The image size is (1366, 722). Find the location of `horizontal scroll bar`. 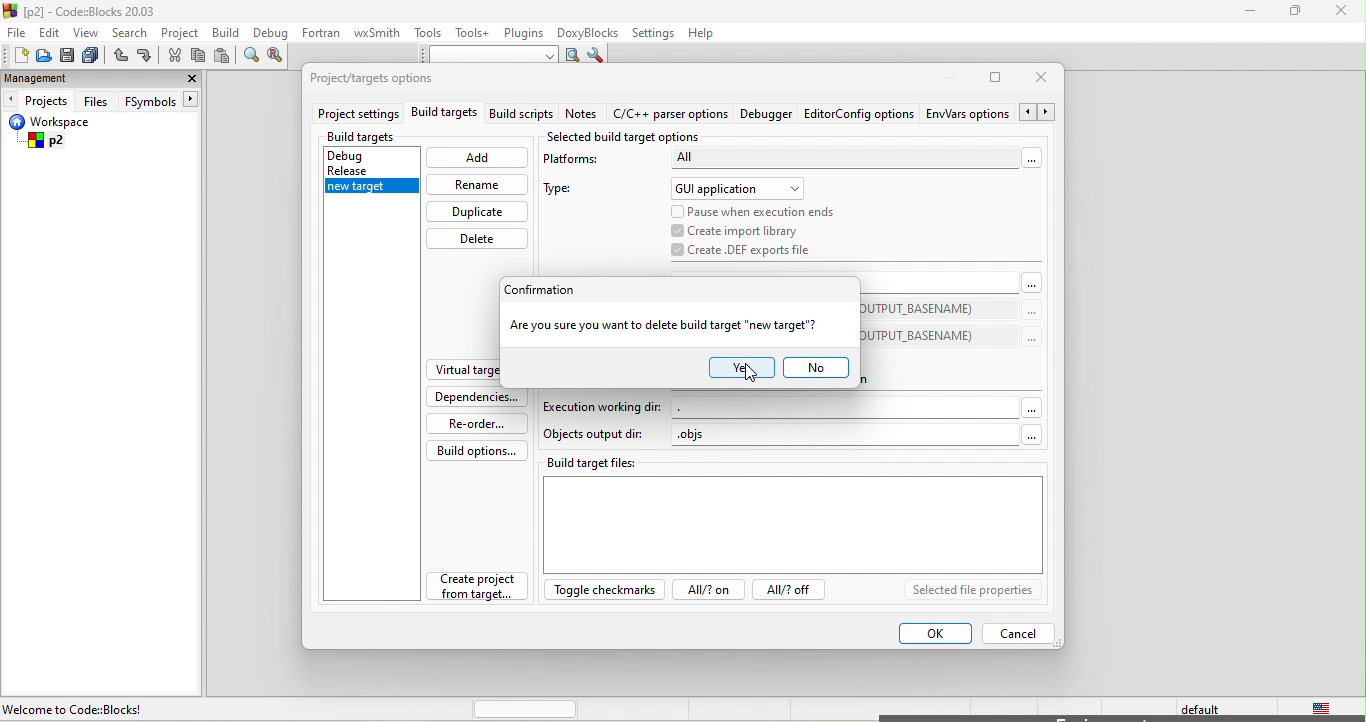

horizontal scroll bar is located at coordinates (526, 709).